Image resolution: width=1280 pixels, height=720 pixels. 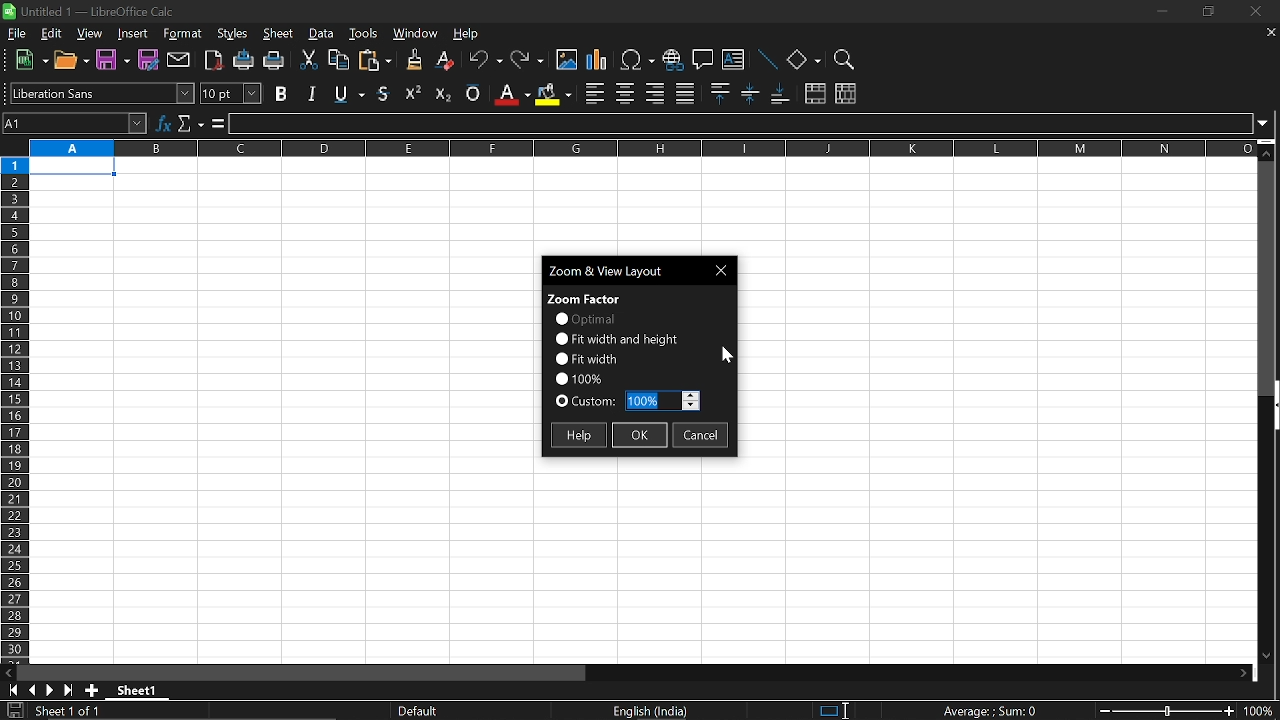 What do you see at coordinates (686, 94) in the screenshot?
I see `justified` at bounding box center [686, 94].